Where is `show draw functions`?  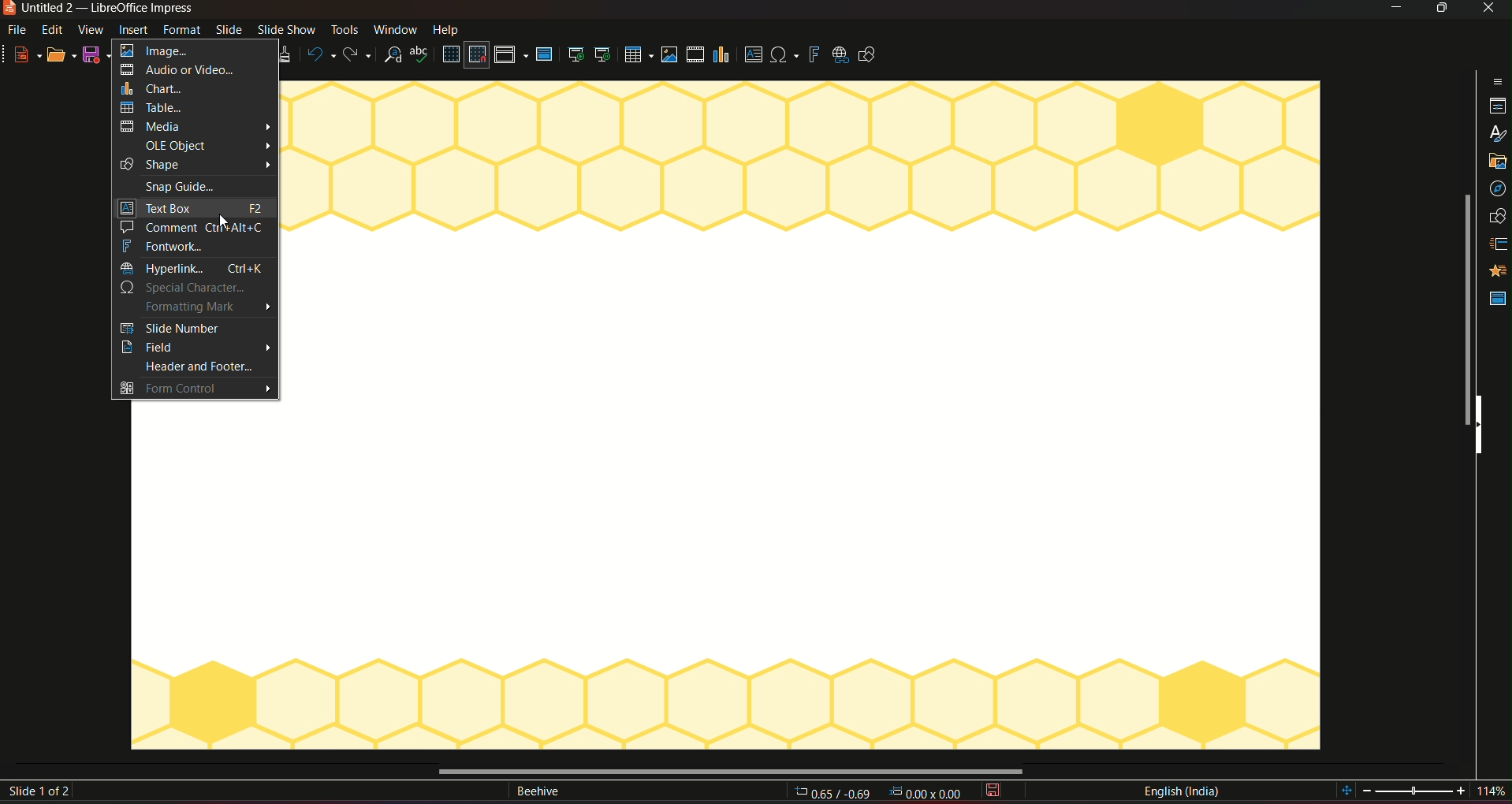 show draw functions is located at coordinates (872, 56).